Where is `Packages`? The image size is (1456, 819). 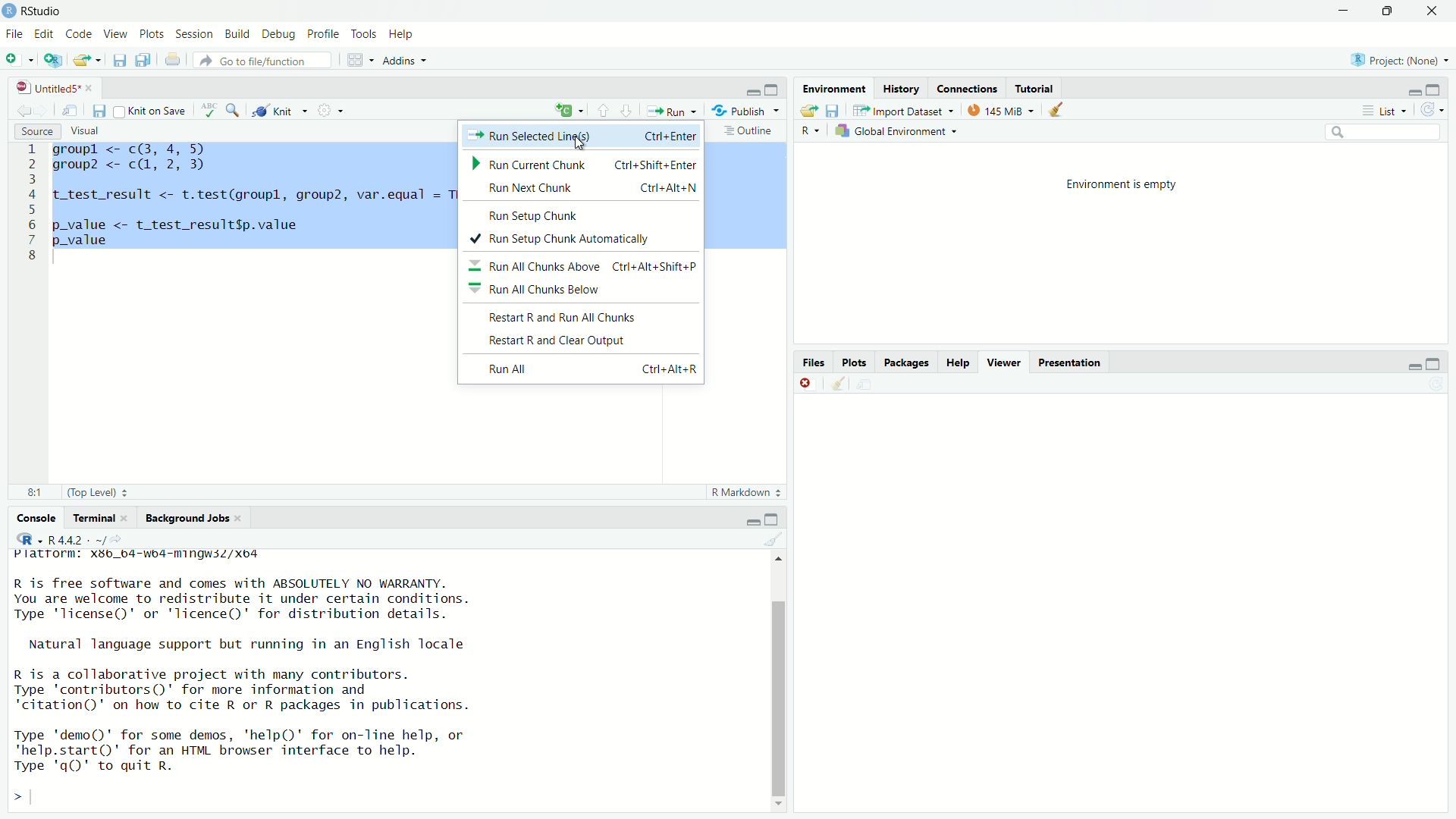
Packages is located at coordinates (908, 362).